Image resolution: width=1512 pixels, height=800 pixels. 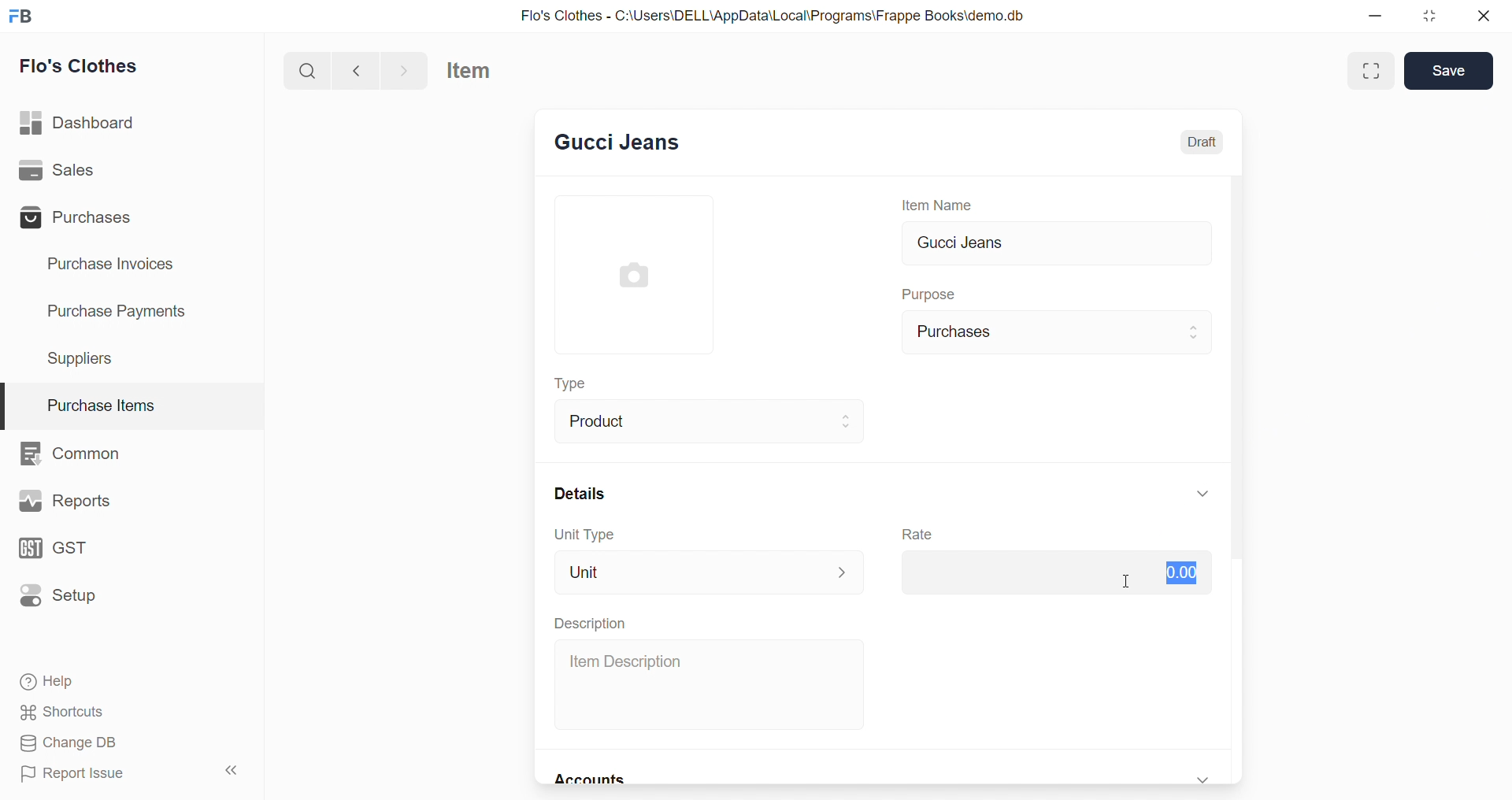 What do you see at coordinates (1053, 572) in the screenshot?
I see `0.00` at bounding box center [1053, 572].